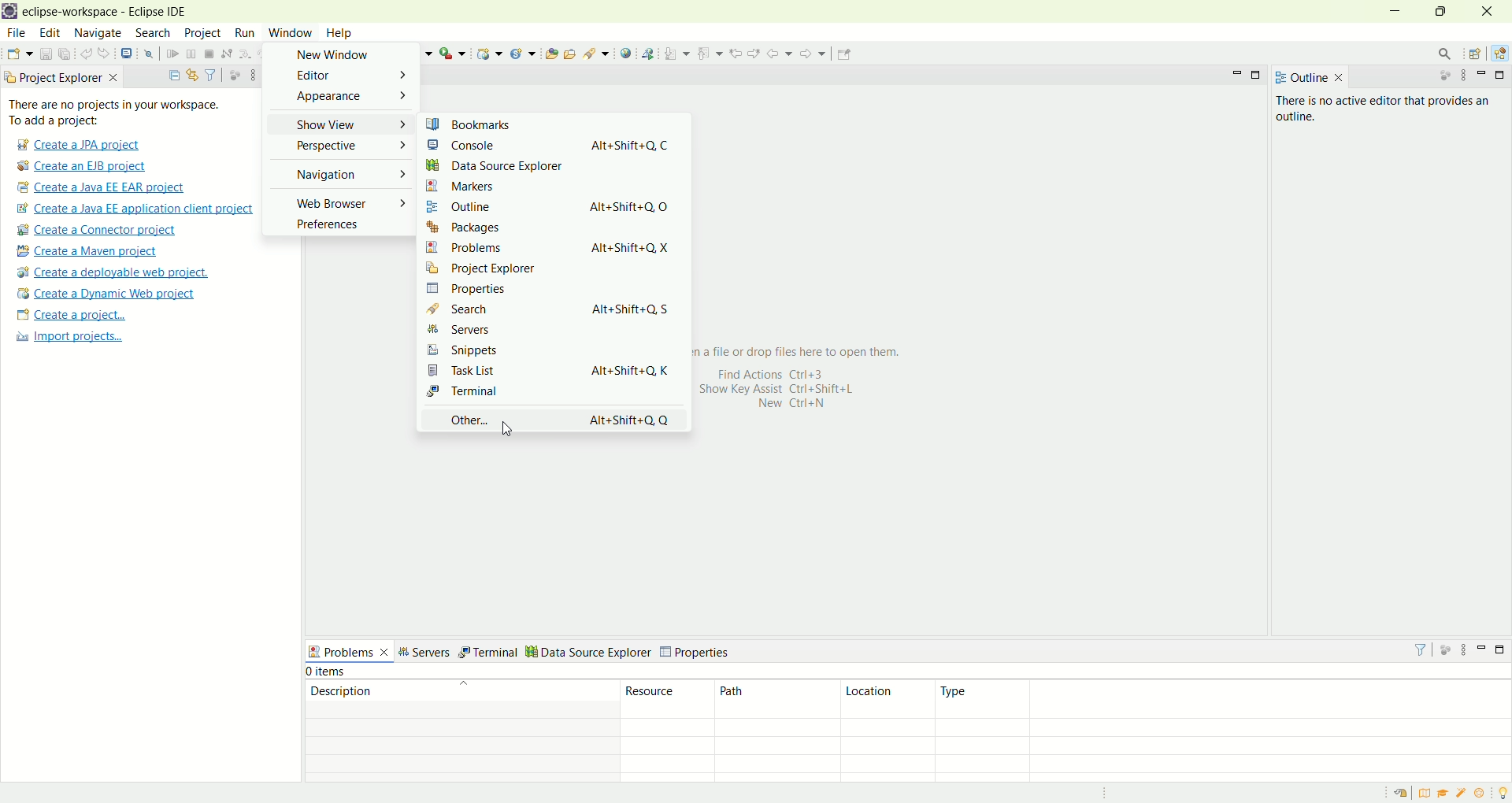  What do you see at coordinates (495, 165) in the screenshot?
I see `data source explorer` at bounding box center [495, 165].